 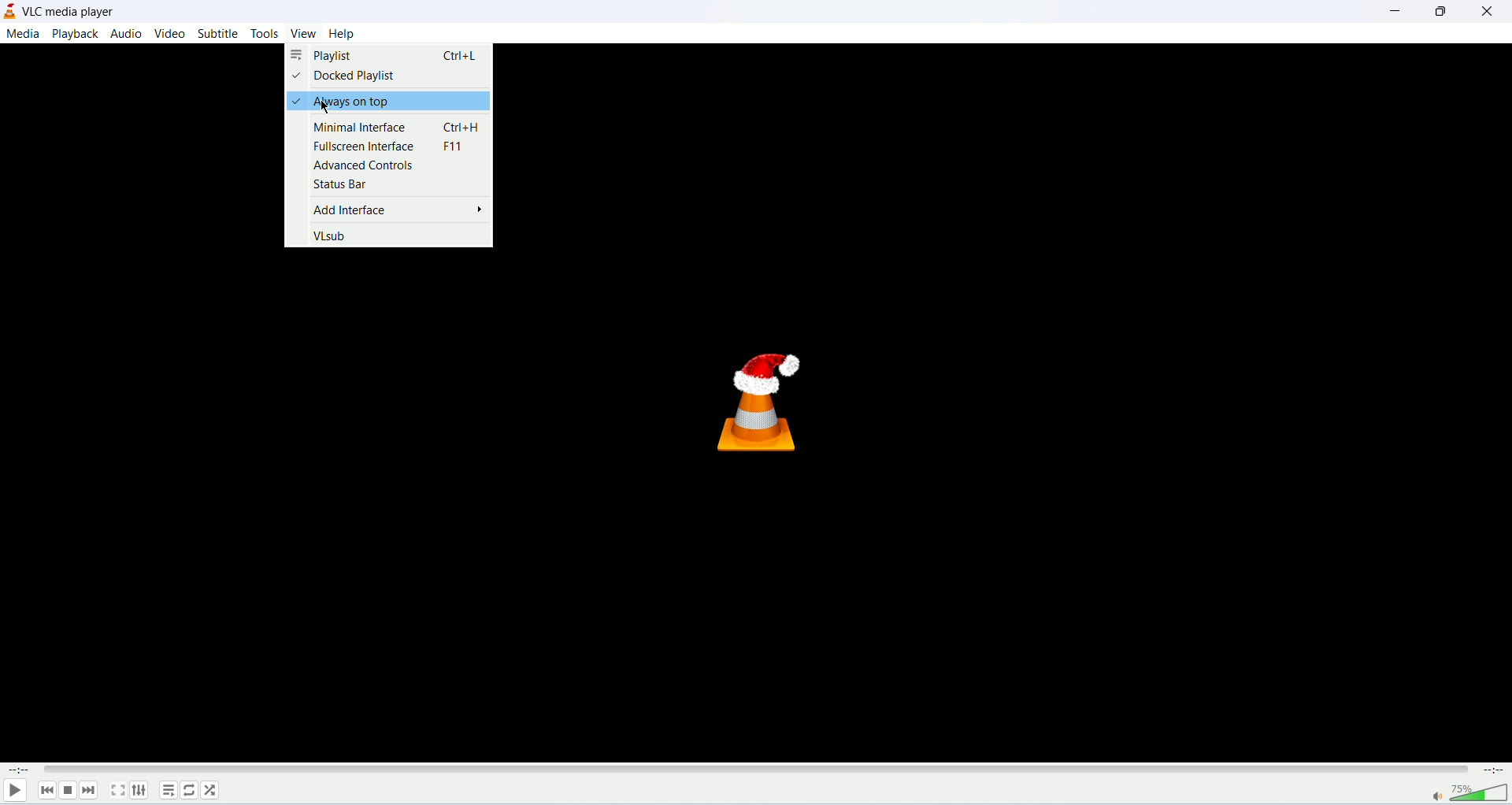 What do you see at coordinates (341, 33) in the screenshot?
I see `help` at bounding box center [341, 33].